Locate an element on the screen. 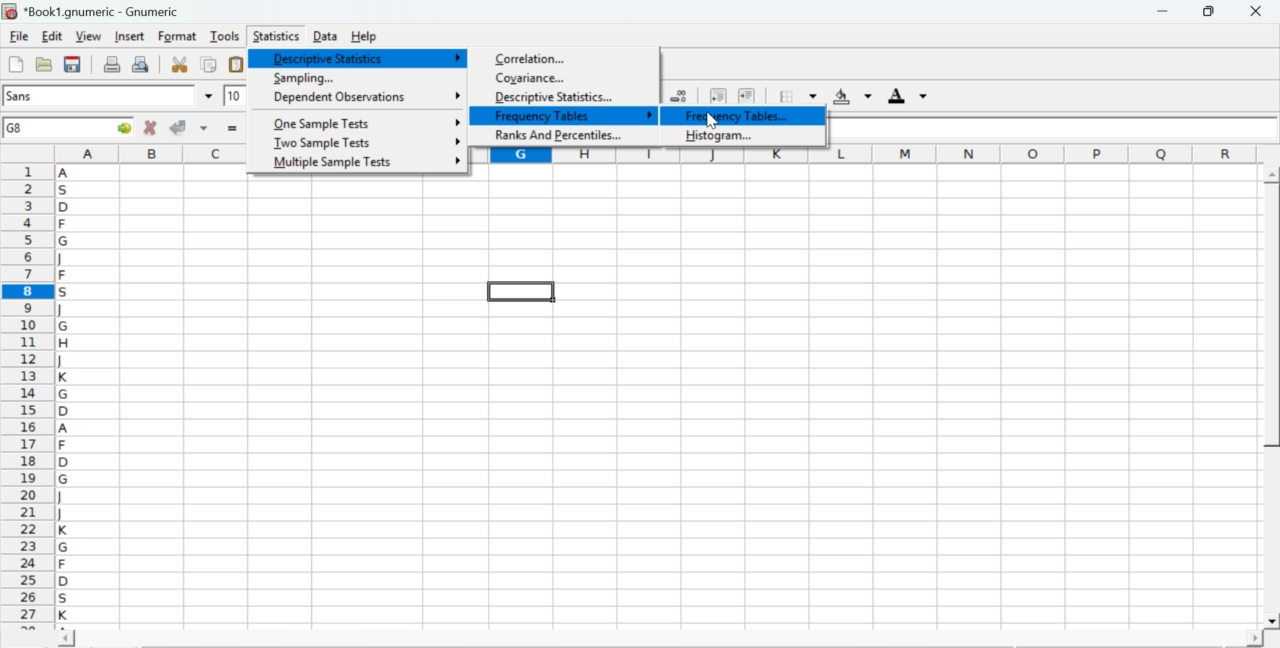 The height and width of the screenshot is (648, 1280). descriptive statistics is located at coordinates (326, 57).